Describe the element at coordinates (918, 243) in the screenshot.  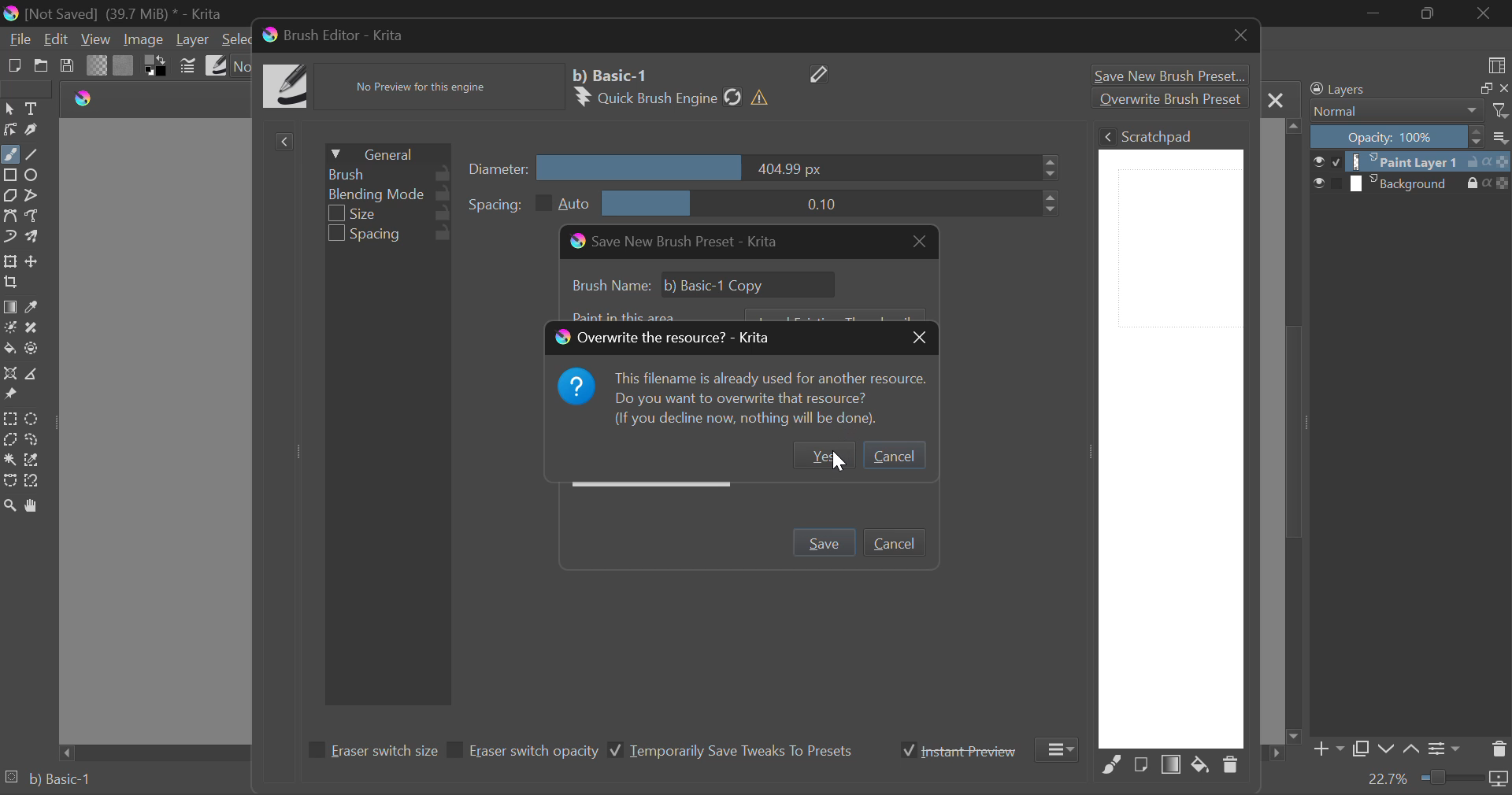
I see `Close` at that location.